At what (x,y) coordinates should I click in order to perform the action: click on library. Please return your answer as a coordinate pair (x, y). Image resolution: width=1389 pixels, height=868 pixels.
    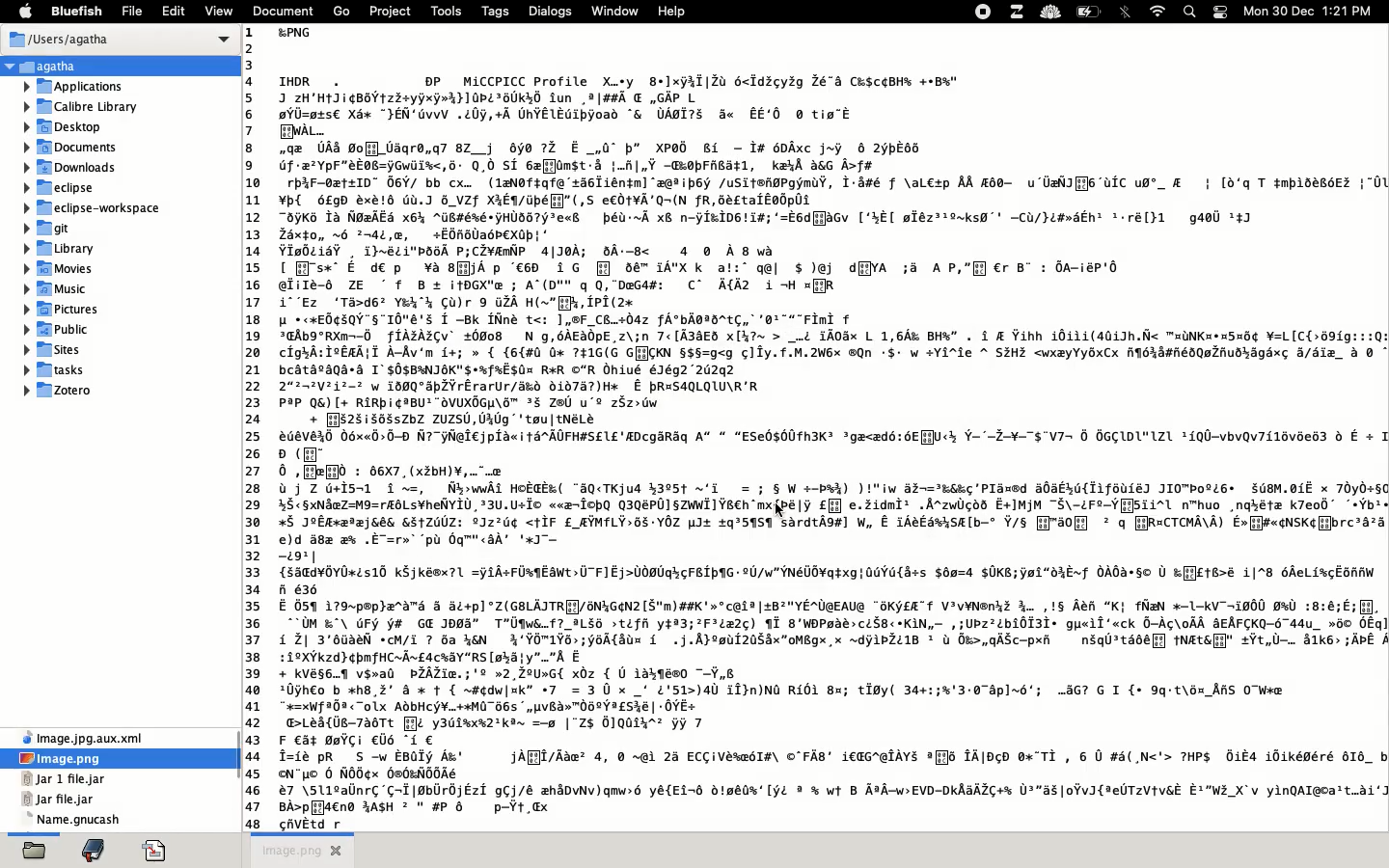
    Looking at the image, I should click on (63, 248).